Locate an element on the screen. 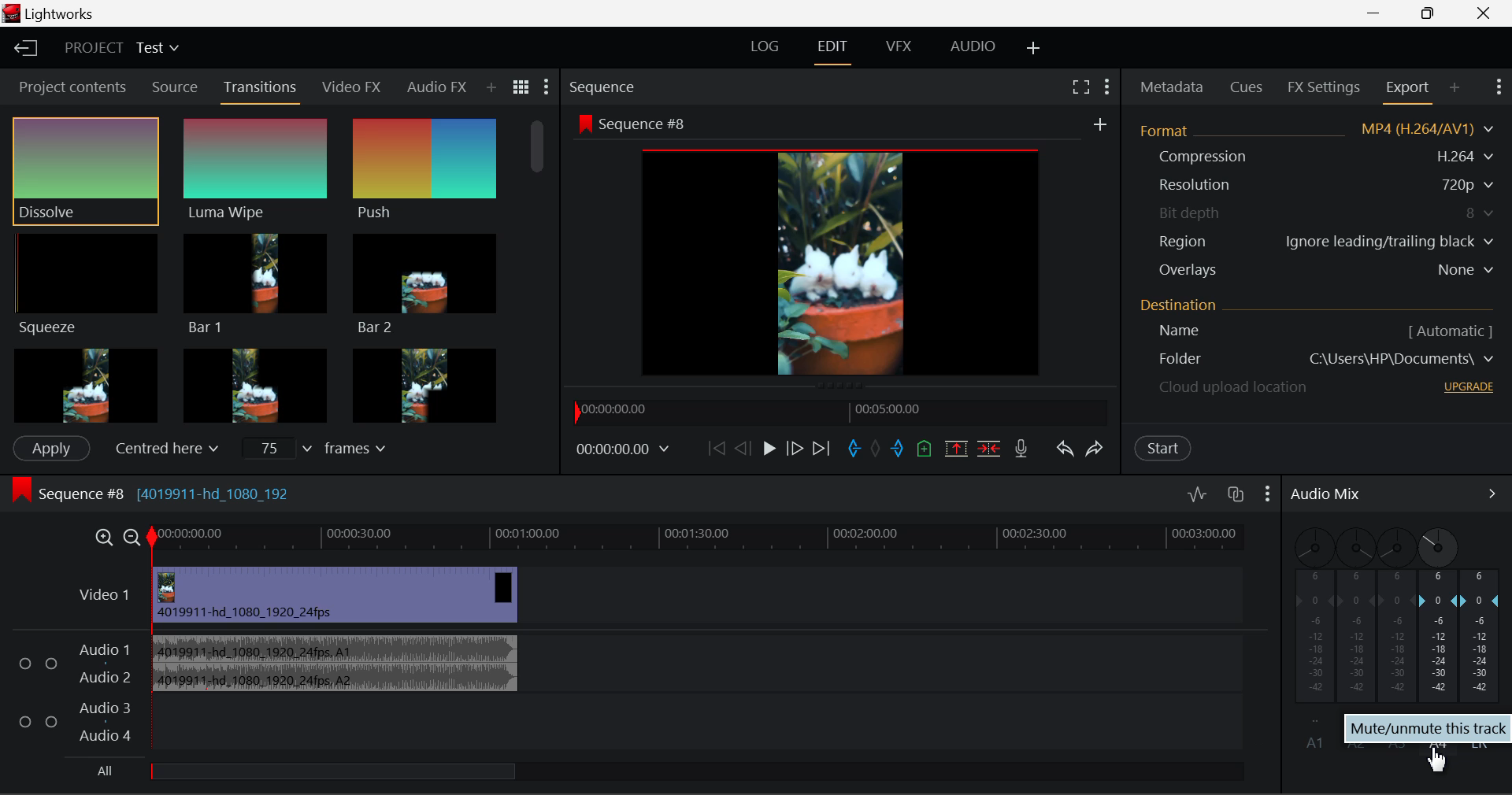  Source is located at coordinates (175, 87).